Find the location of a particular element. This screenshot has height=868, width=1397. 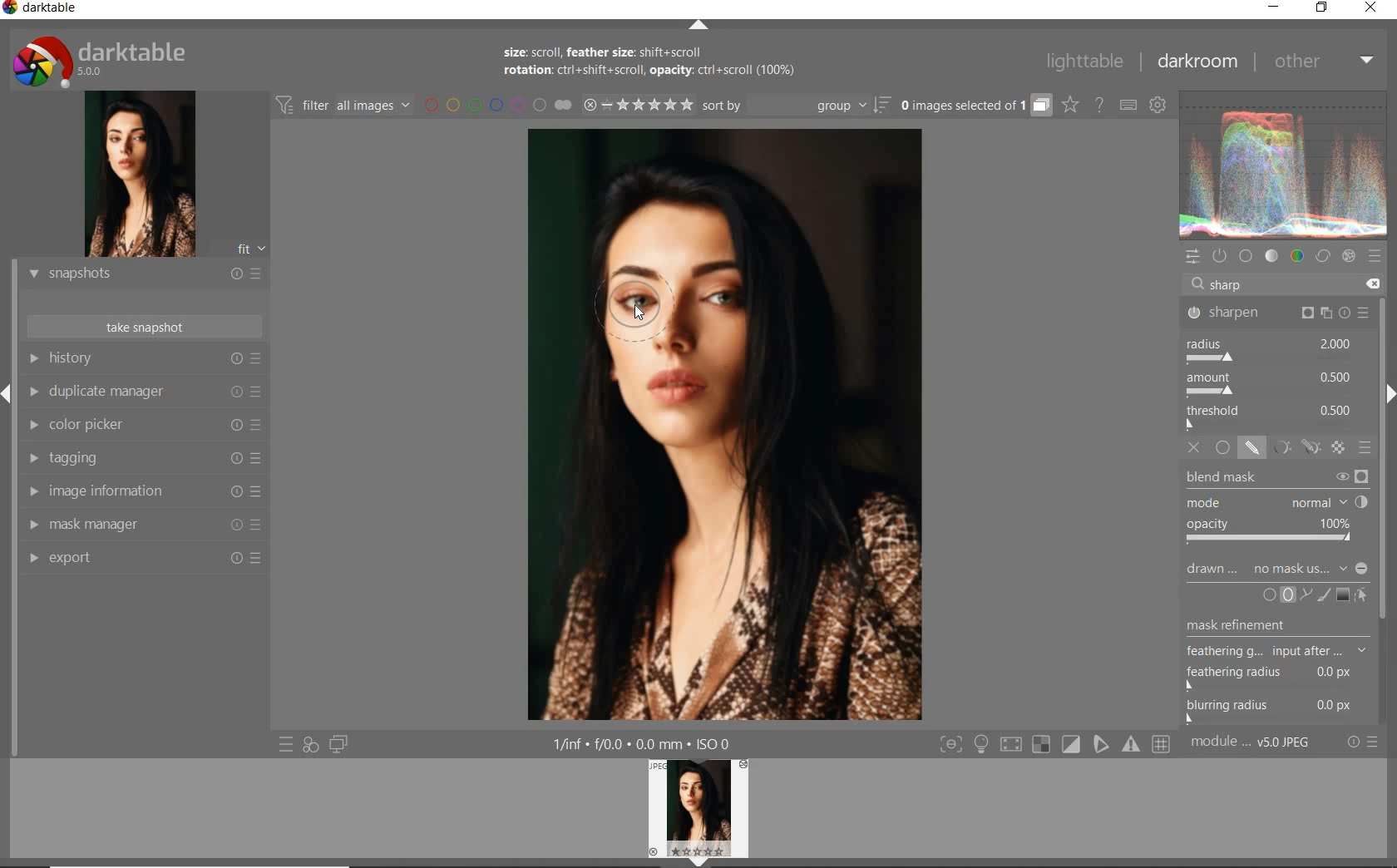

sort is located at coordinates (797, 105).